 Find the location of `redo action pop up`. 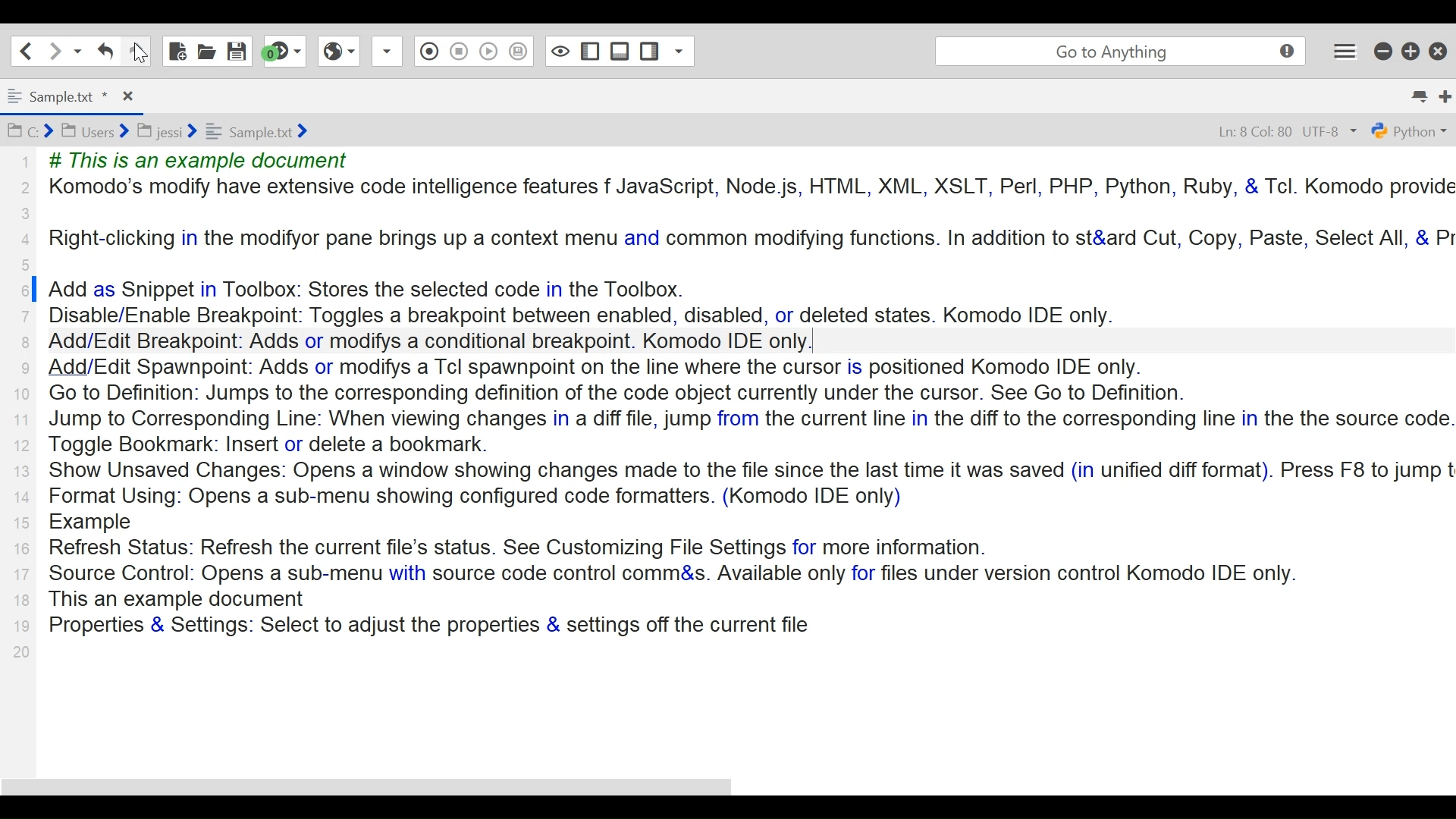

redo action pop up is located at coordinates (192, 79).